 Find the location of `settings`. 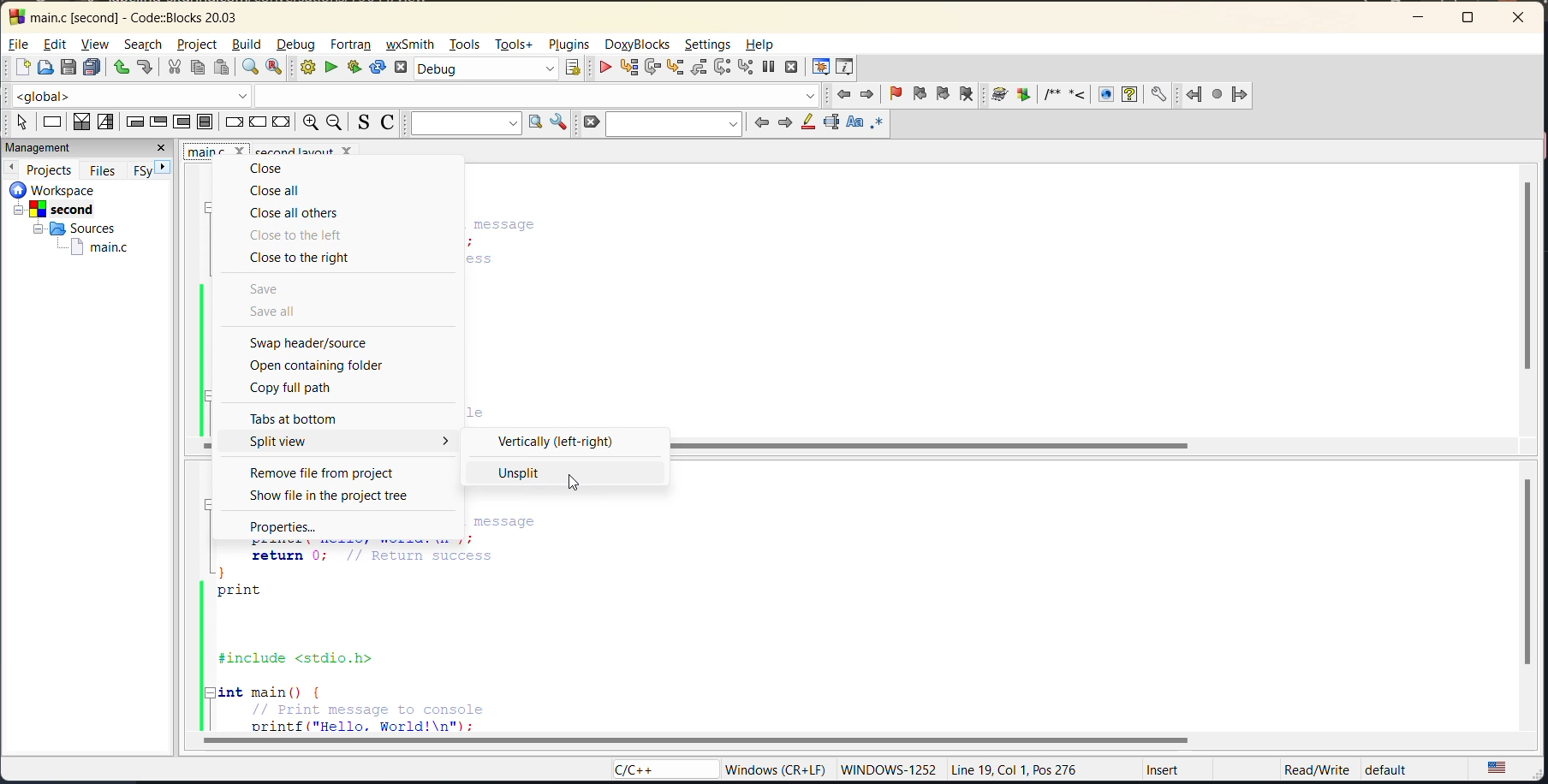

settings is located at coordinates (709, 45).